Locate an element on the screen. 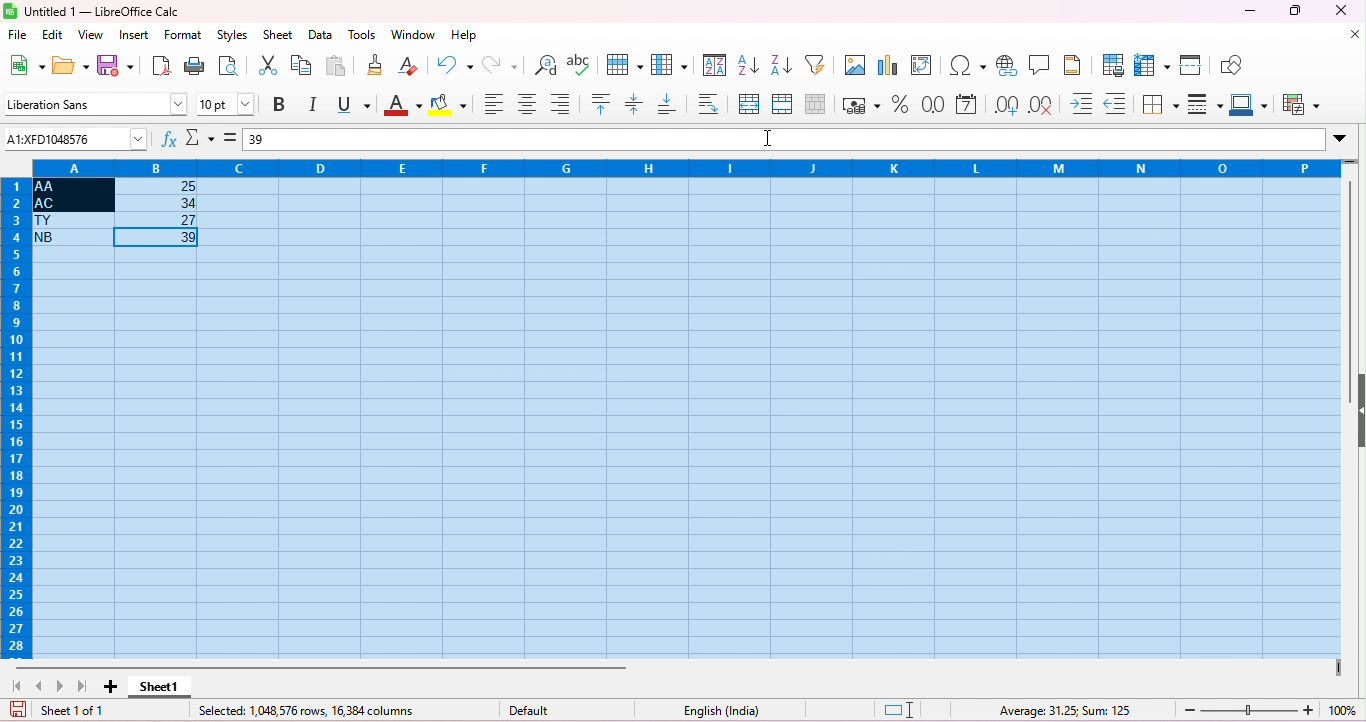 Image resolution: width=1366 pixels, height=722 pixels. save is located at coordinates (116, 64).